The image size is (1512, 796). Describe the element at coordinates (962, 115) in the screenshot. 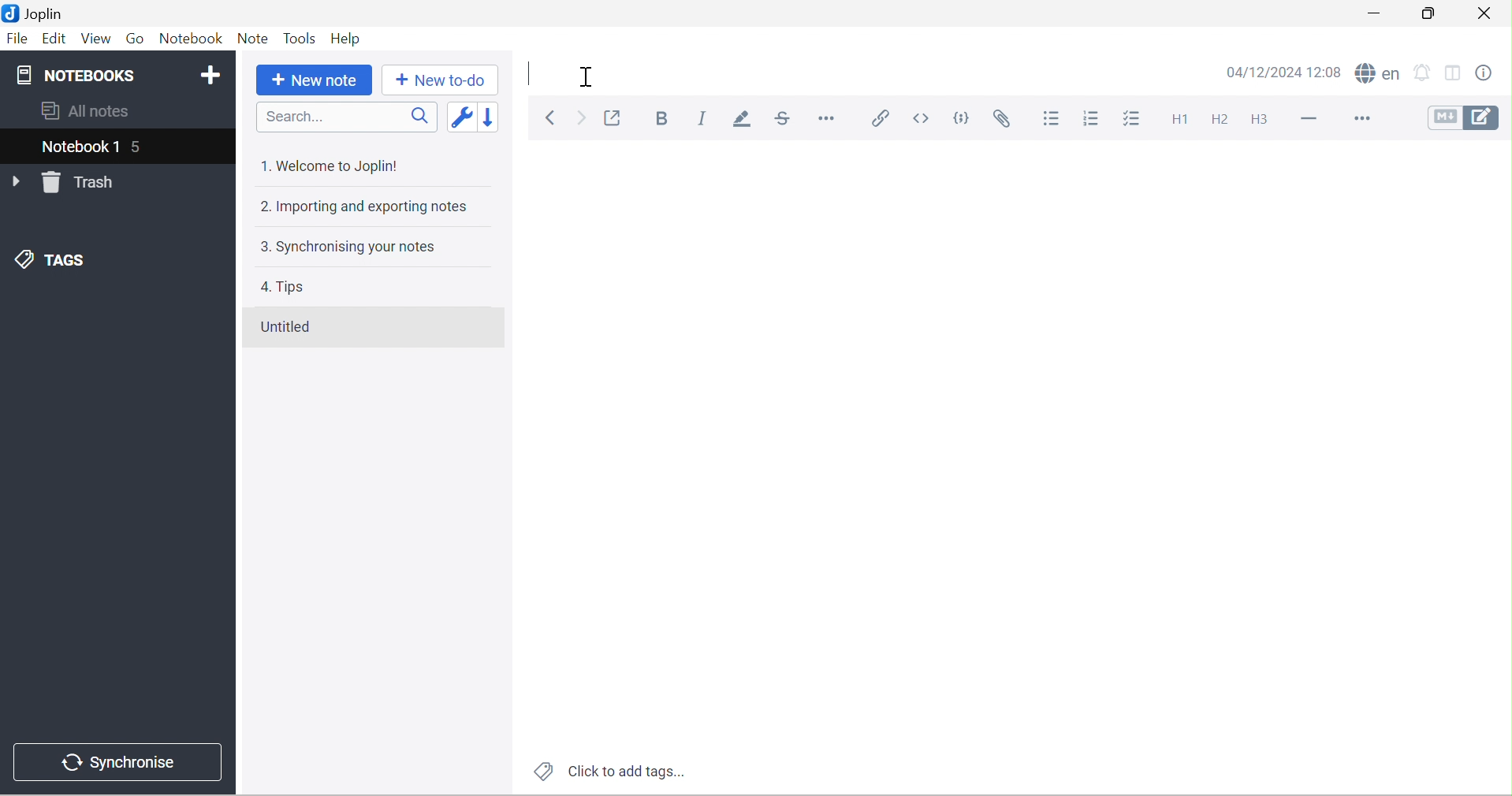

I see `Code` at that location.